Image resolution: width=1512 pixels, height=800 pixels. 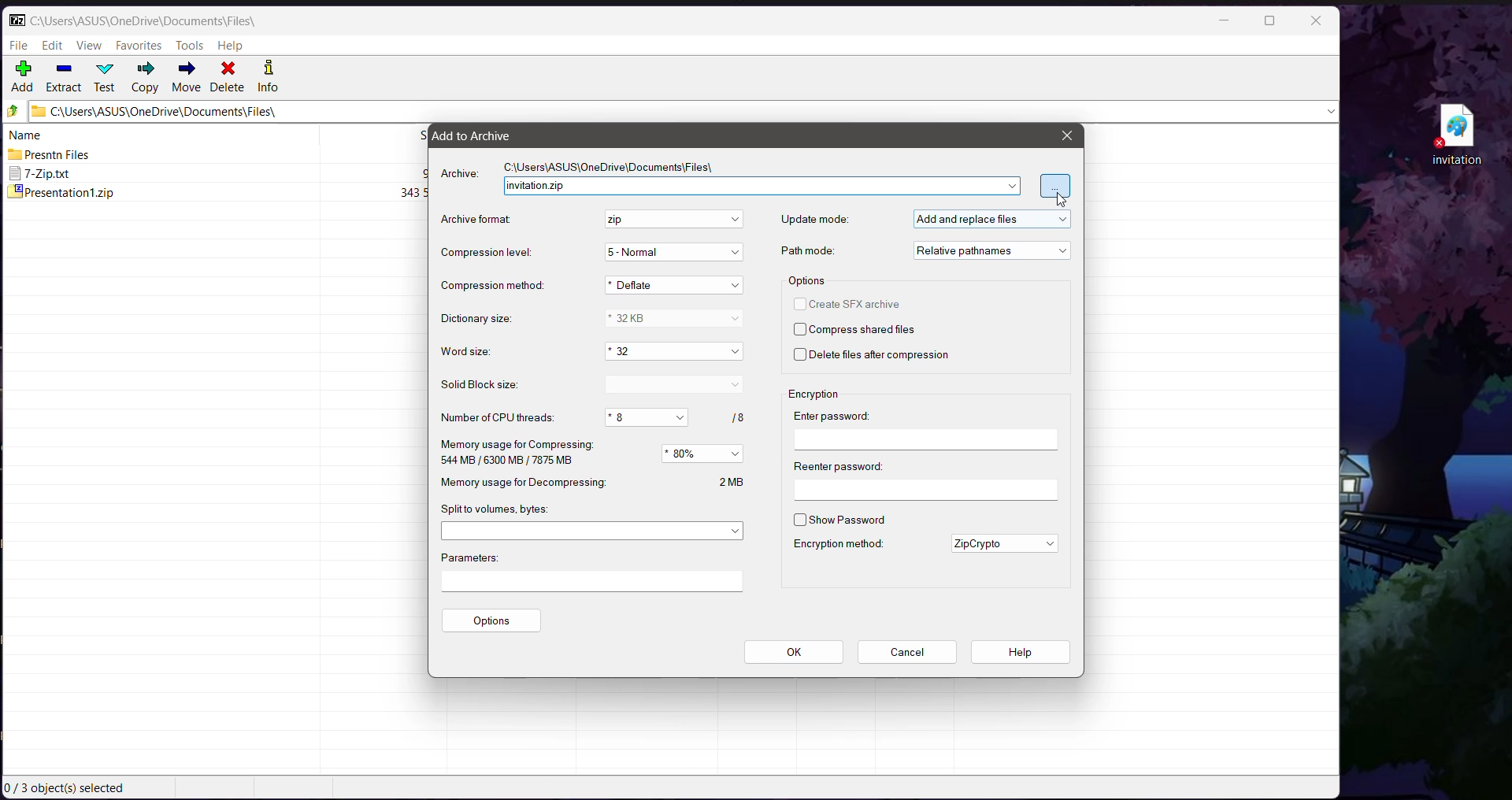 What do you see at coordinates (1060, 201) in the screenshot?
I see `Drag to Cursor` at bounding box center [1060, 201].